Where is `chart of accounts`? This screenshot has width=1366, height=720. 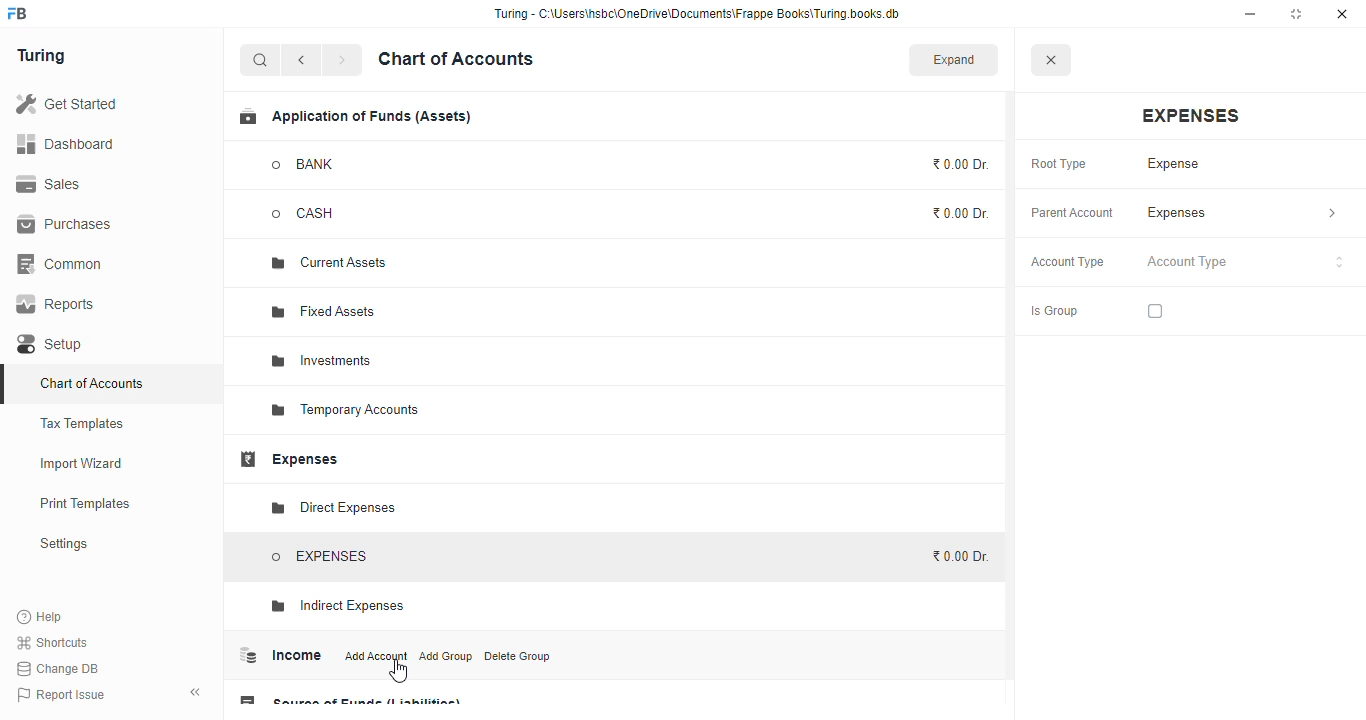
chart of accounts is located at coordinates (92, 383).